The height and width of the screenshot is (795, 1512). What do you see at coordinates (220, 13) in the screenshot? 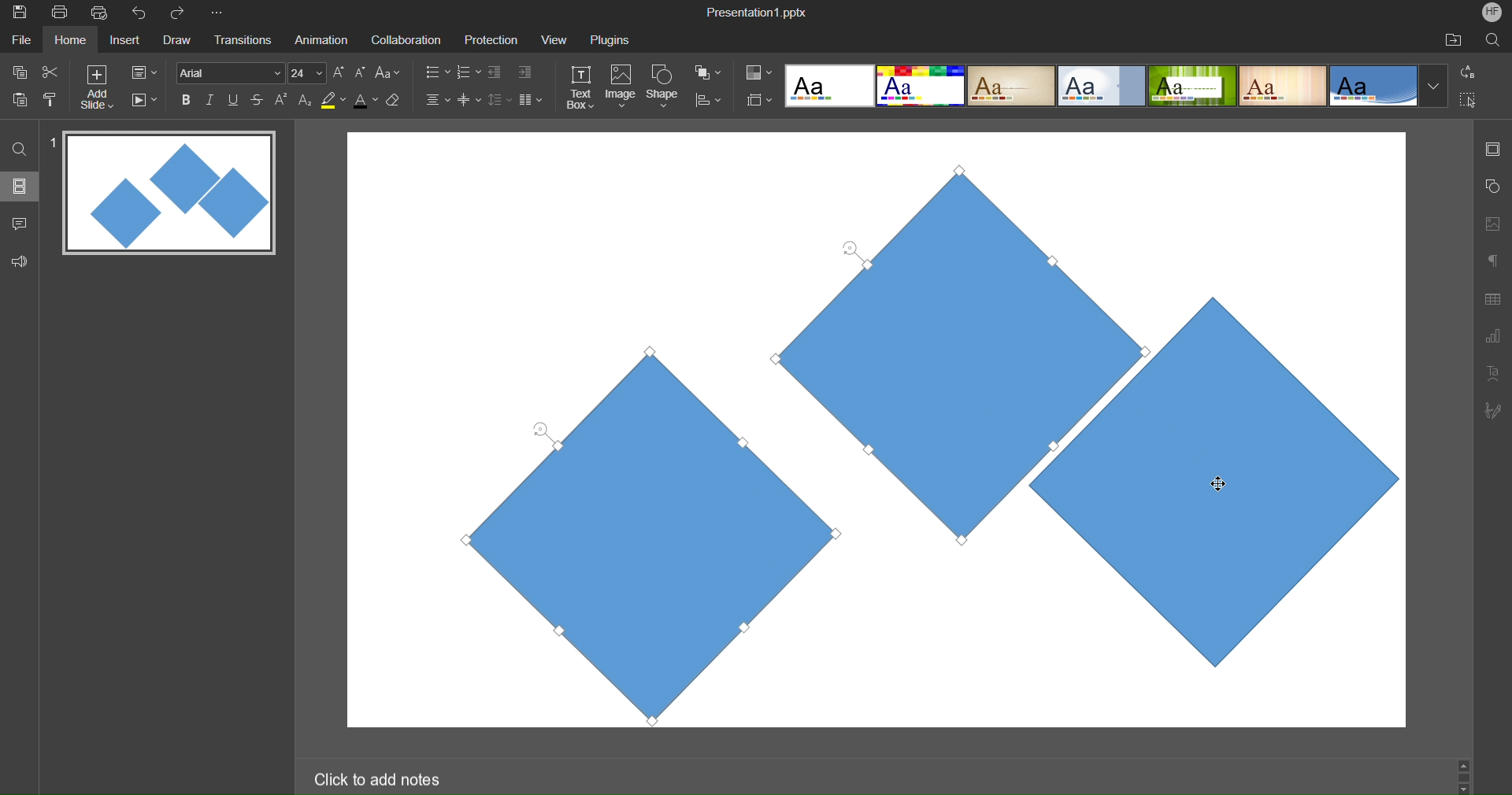
I see `More` at bounding box center [220, 13].